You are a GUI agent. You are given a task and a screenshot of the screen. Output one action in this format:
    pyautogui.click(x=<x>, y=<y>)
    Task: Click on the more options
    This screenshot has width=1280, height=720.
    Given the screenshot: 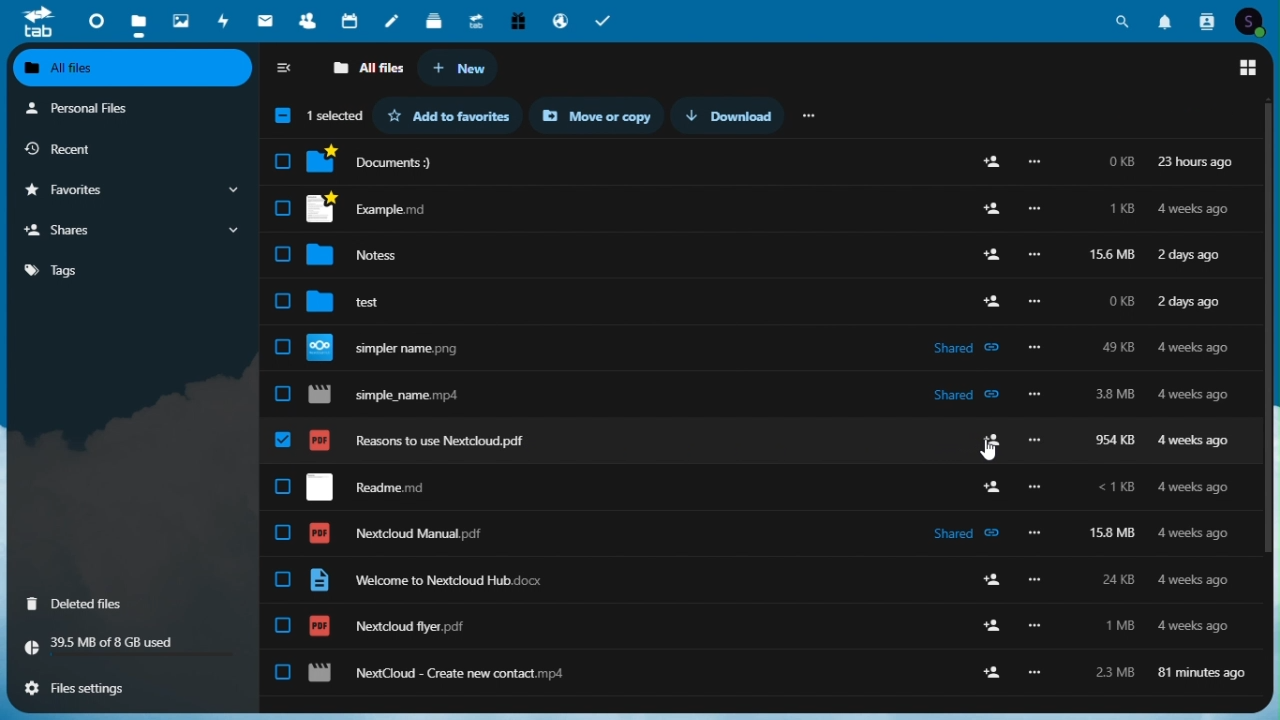 What is the action you would take?
    pyautogui.click(x=1036, y=626)
    